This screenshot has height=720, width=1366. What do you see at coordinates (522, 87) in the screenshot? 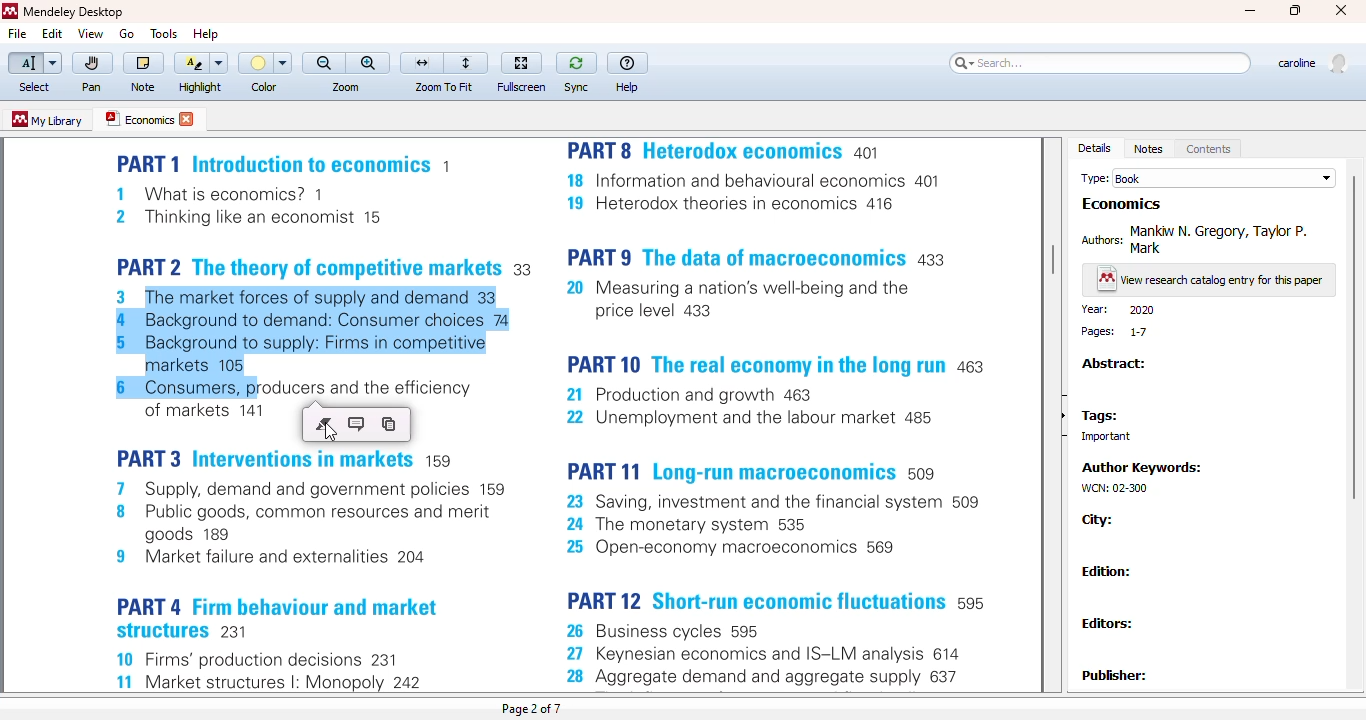
I see `fullscreen` at bounding box center [522, 87].